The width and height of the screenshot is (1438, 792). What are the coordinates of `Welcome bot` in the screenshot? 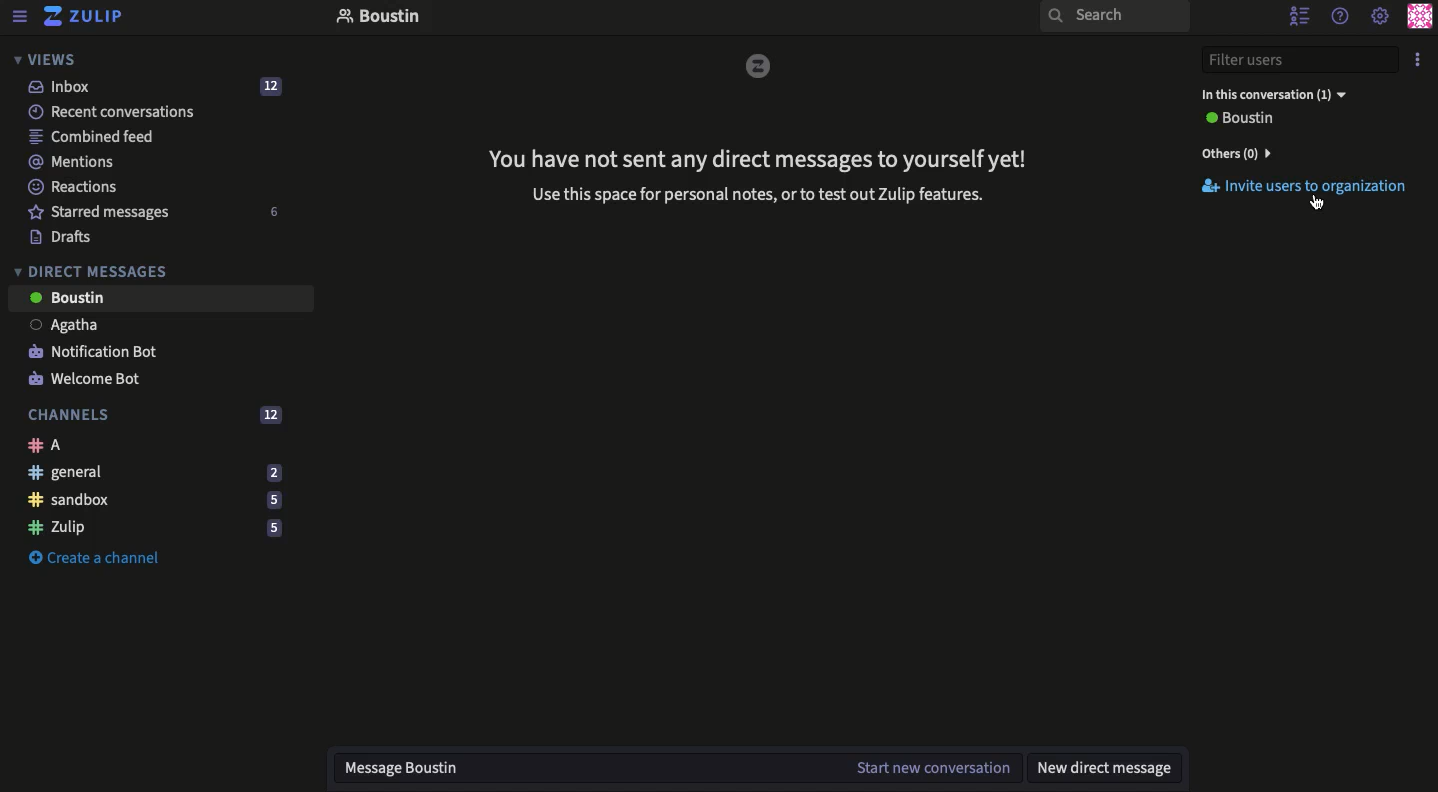 It's located at (87, 380).